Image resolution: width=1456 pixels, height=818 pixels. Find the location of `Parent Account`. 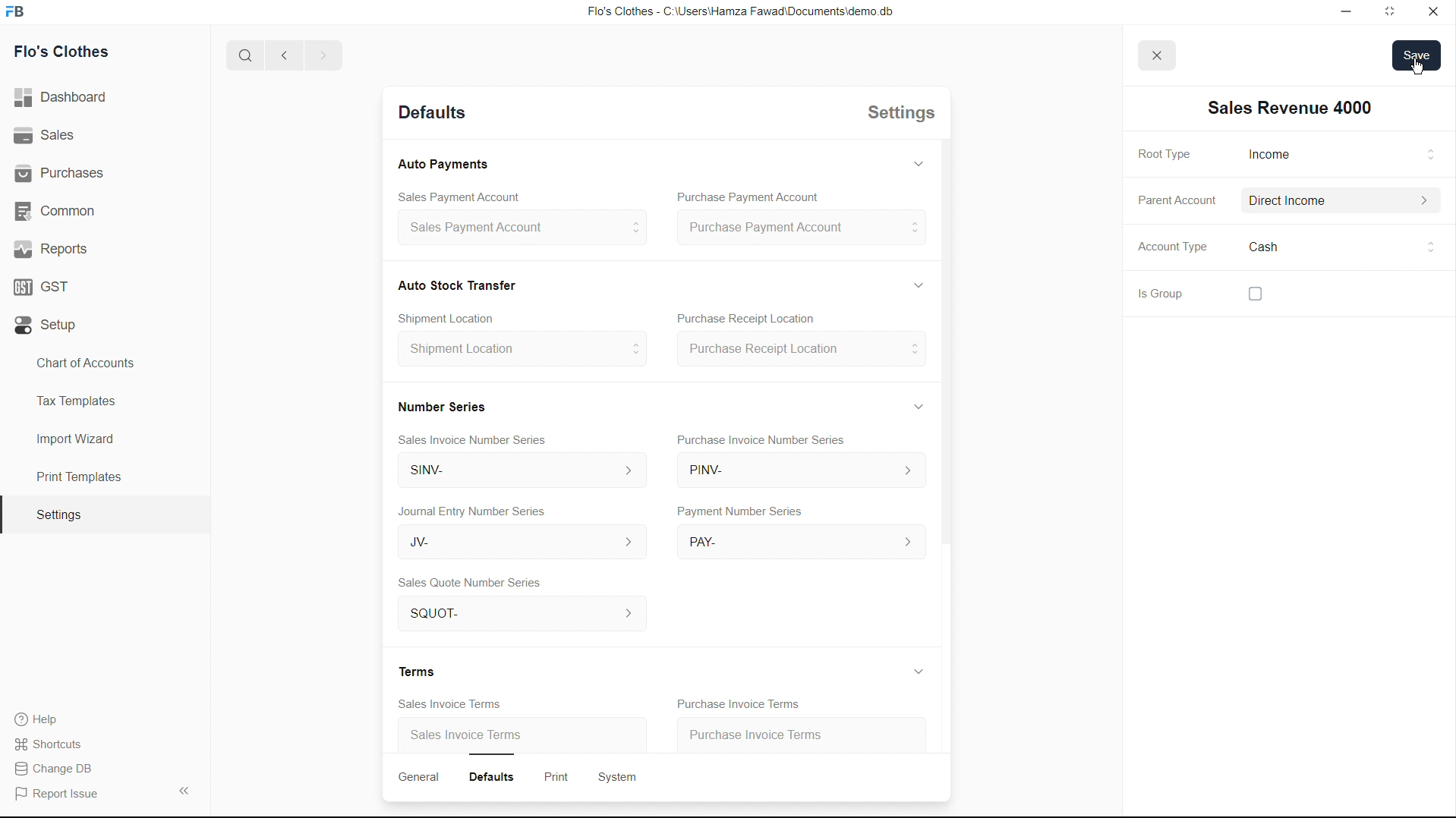

Parent Account is located at coordinates (1175, 199).